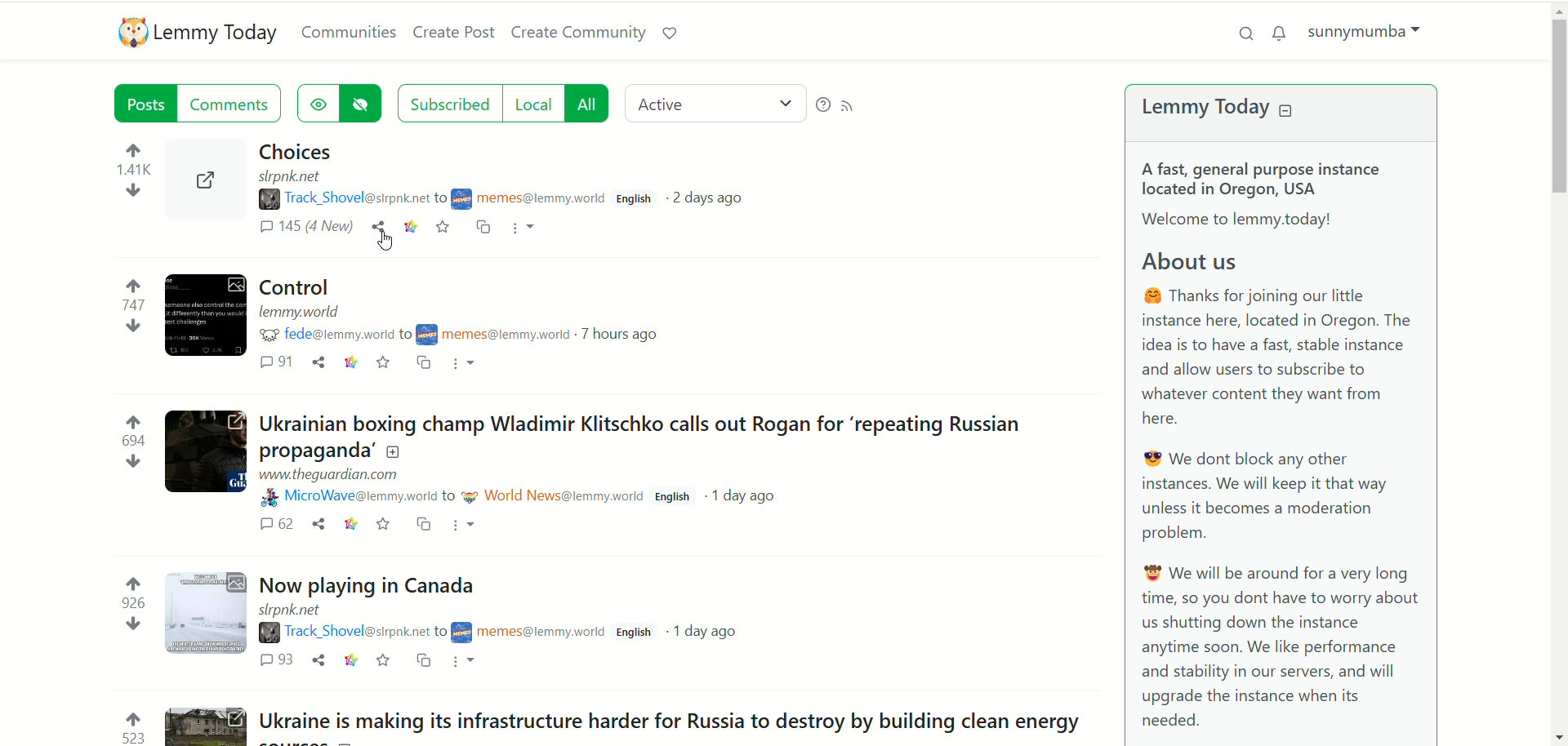 Image resolution: width=1568 pixels, height=746 pixels. I want to click on comments, so click(281, 363).